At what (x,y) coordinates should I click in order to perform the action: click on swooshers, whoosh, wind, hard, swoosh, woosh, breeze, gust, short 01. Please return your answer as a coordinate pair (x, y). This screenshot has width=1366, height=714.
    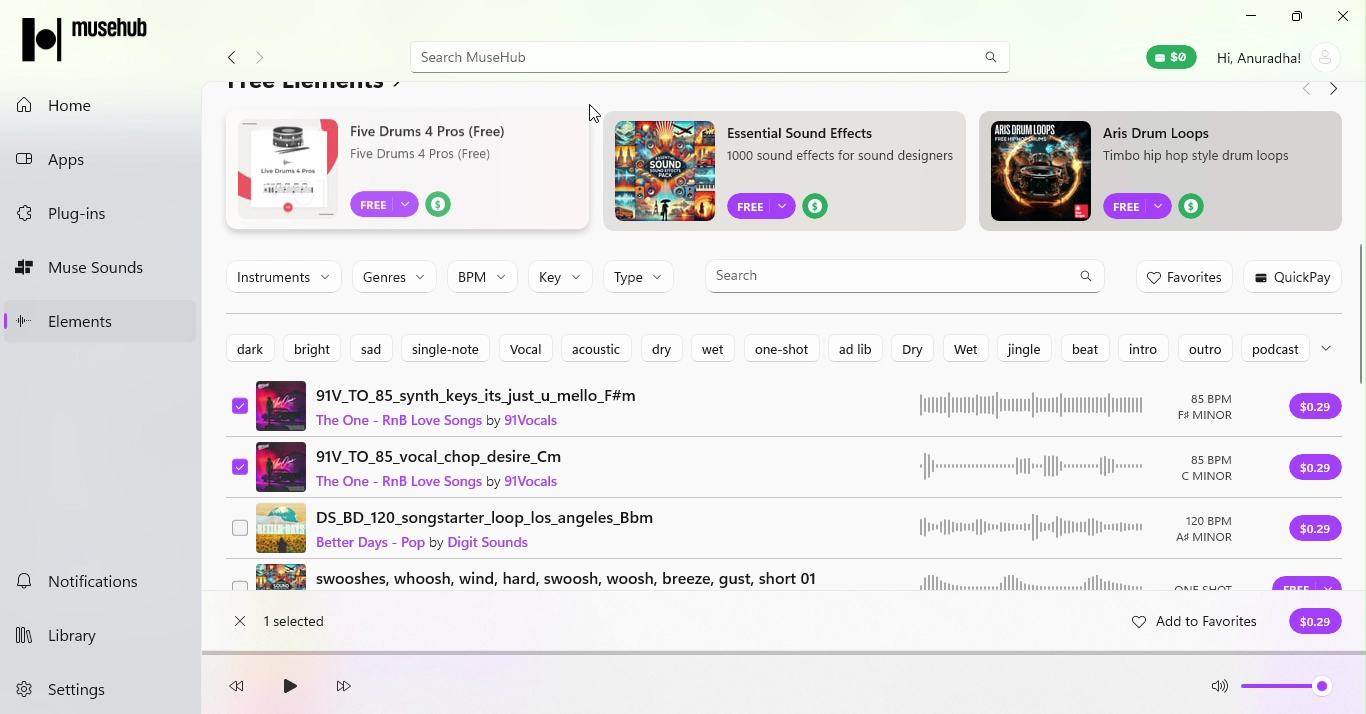
    Looking at the image, I should click on (752, 585).